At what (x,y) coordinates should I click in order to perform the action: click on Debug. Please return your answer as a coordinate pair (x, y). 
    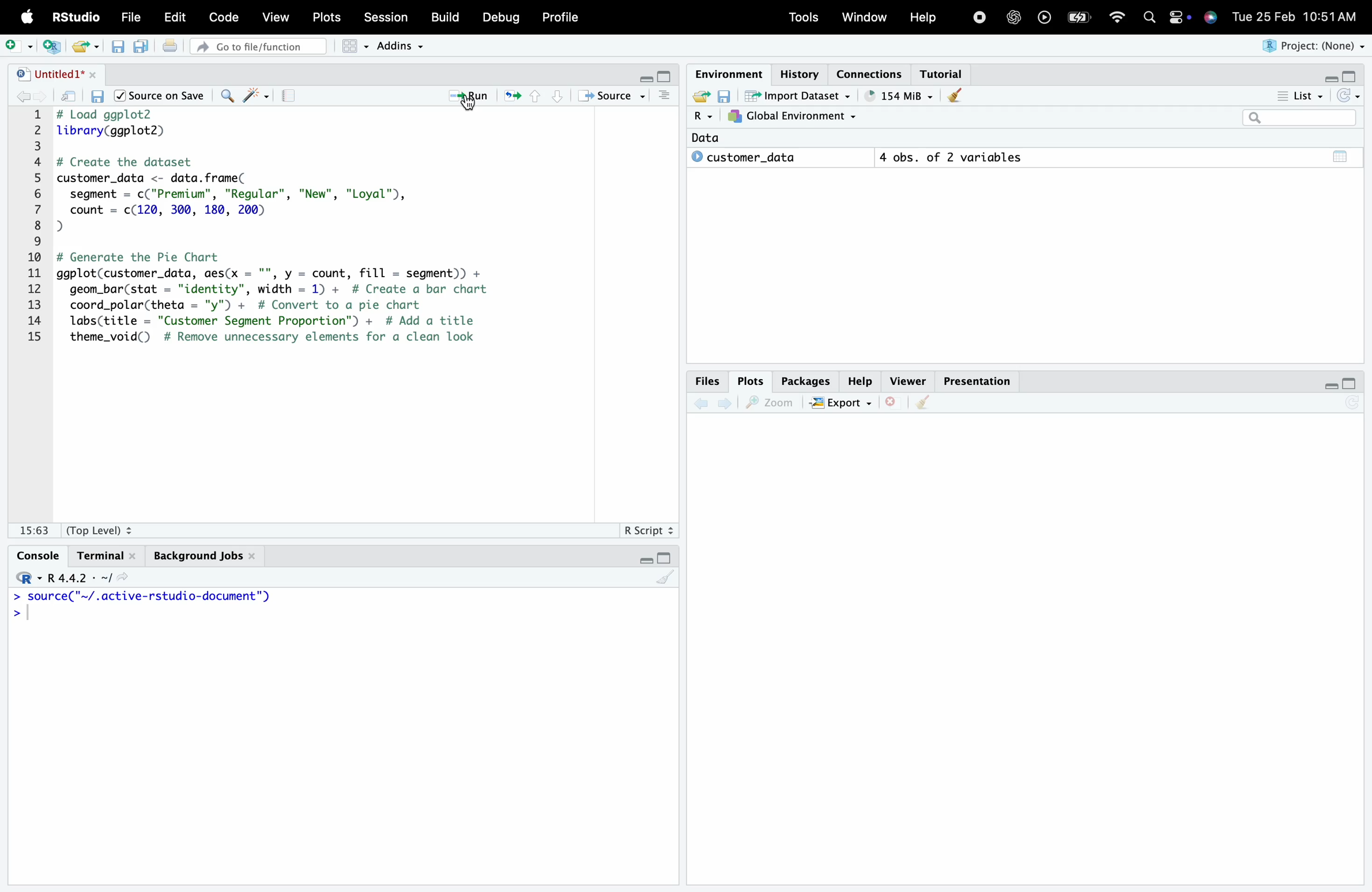
    Looking at the image, I should click on (500, 18).